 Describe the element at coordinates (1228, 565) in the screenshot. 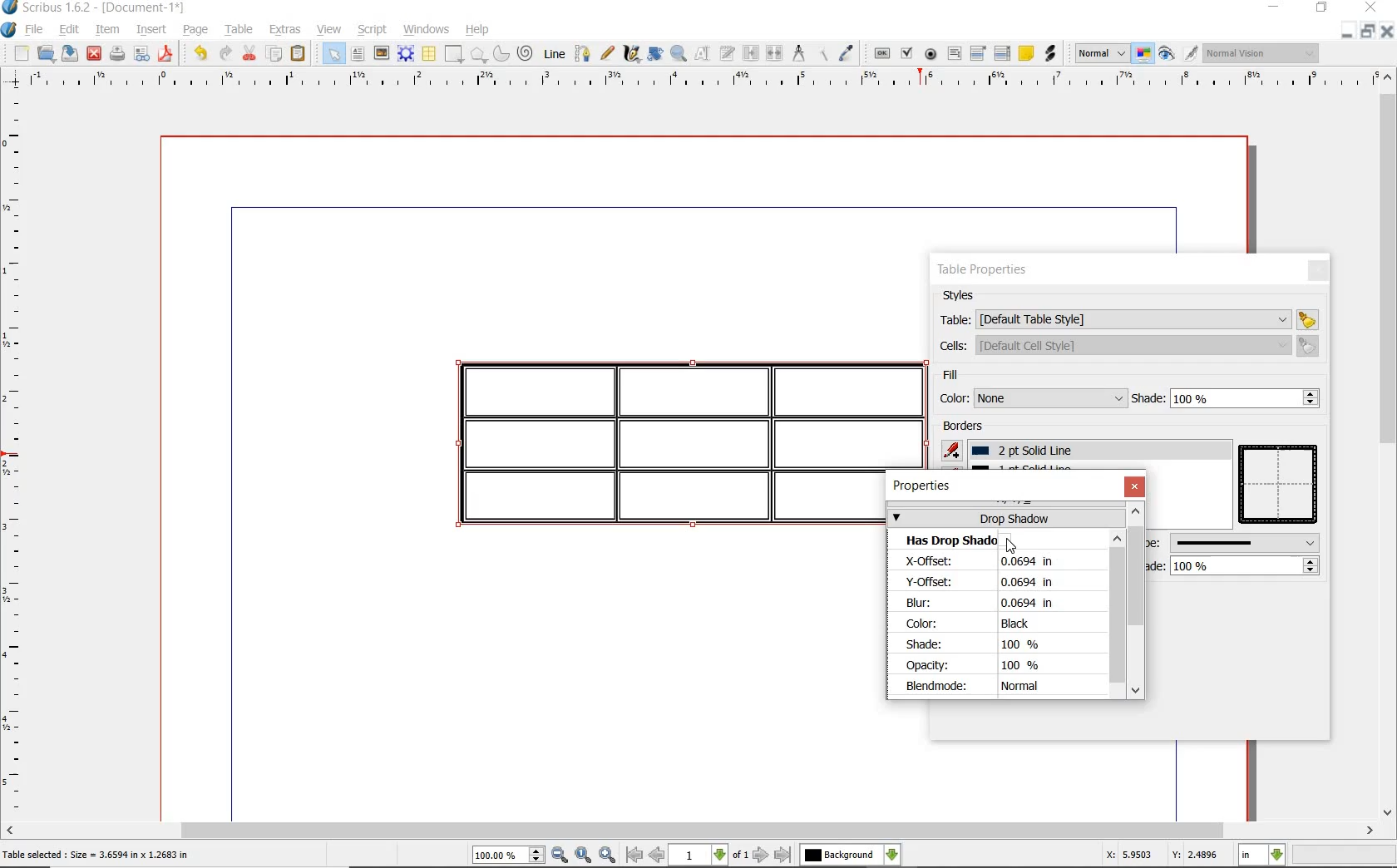

I see `shade` at that location.